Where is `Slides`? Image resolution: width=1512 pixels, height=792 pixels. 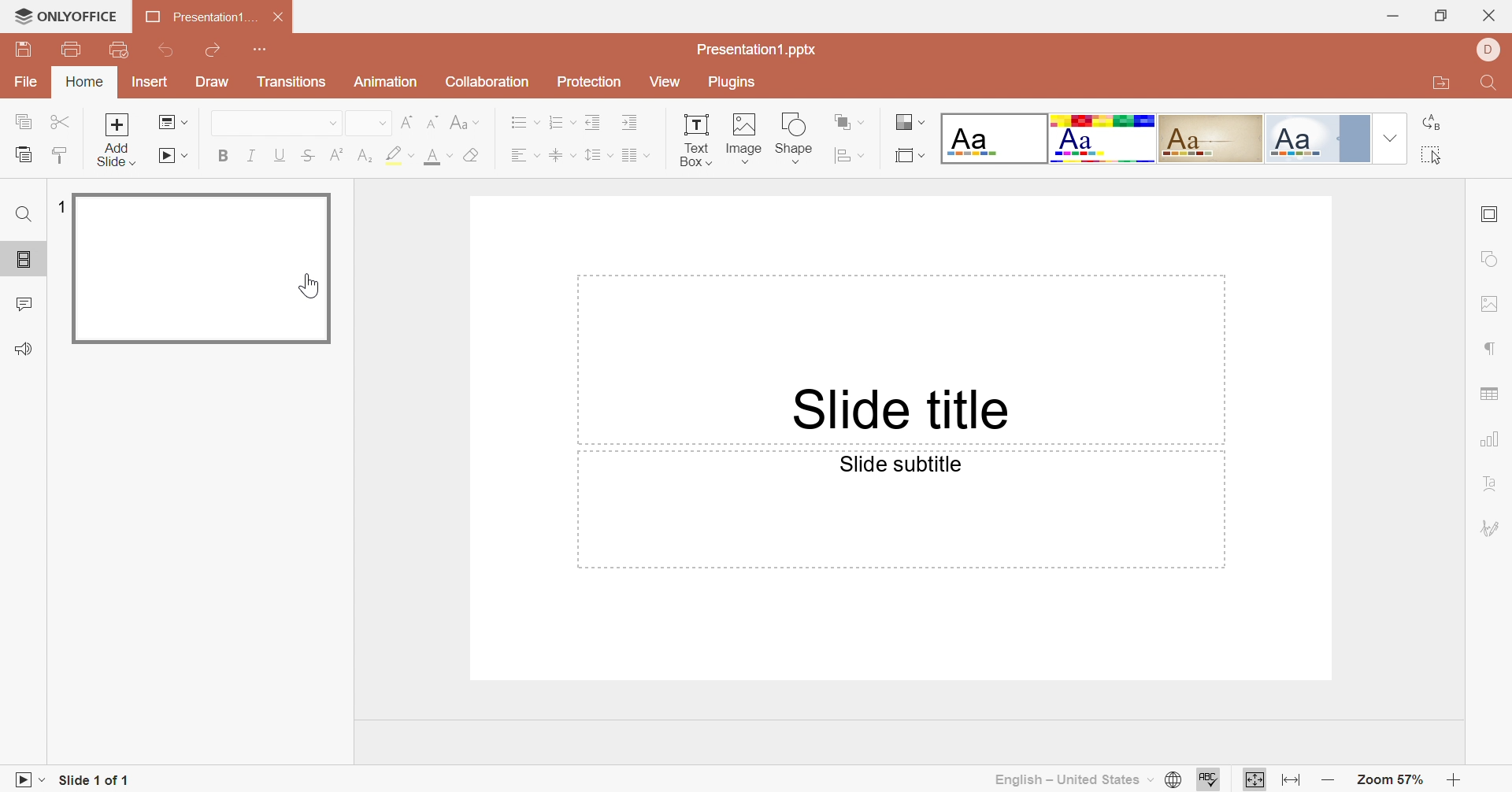 Slides is located at coordinates (26, 261).